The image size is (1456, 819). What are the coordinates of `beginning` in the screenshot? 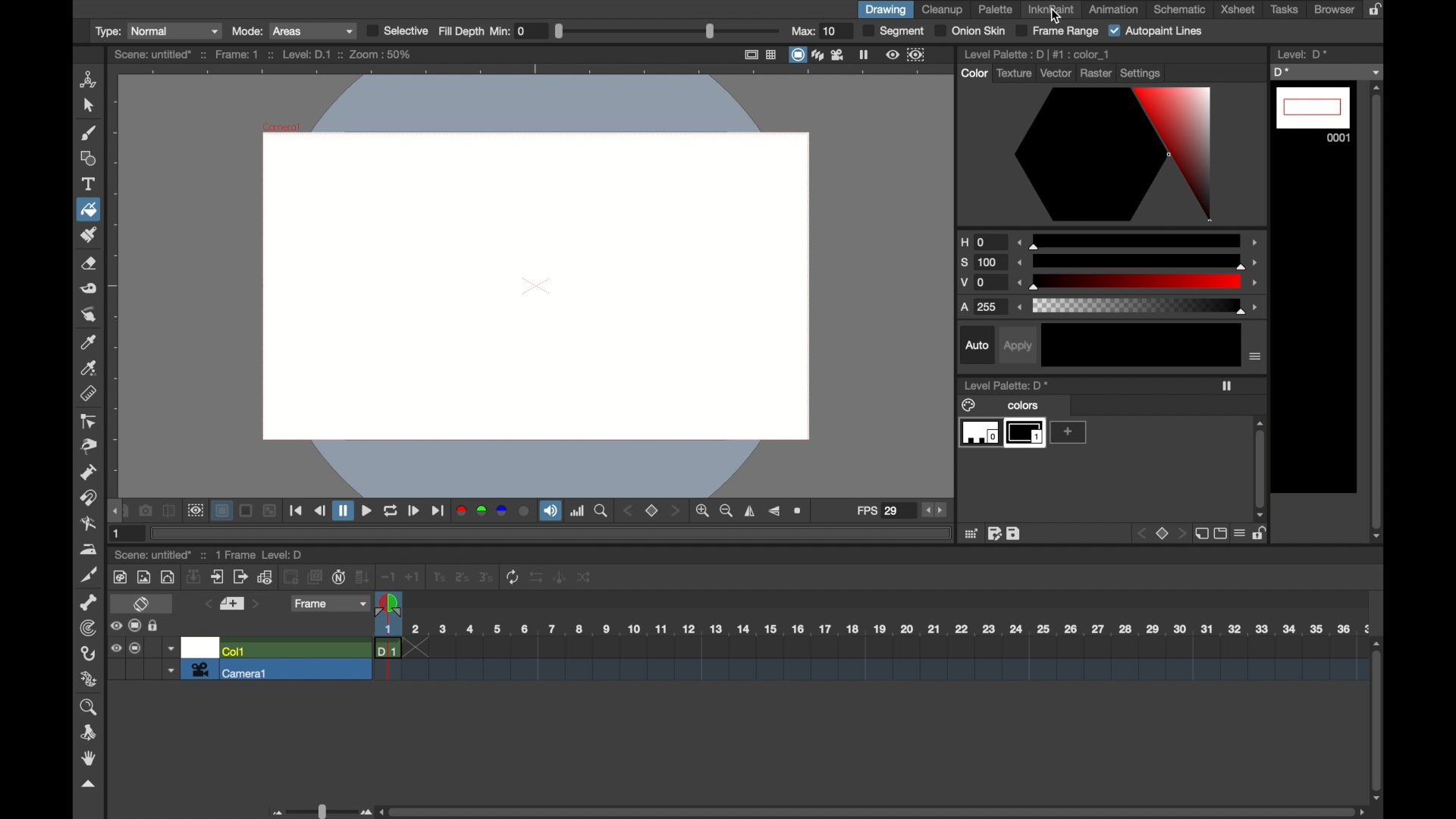 It's located at (297, 511).